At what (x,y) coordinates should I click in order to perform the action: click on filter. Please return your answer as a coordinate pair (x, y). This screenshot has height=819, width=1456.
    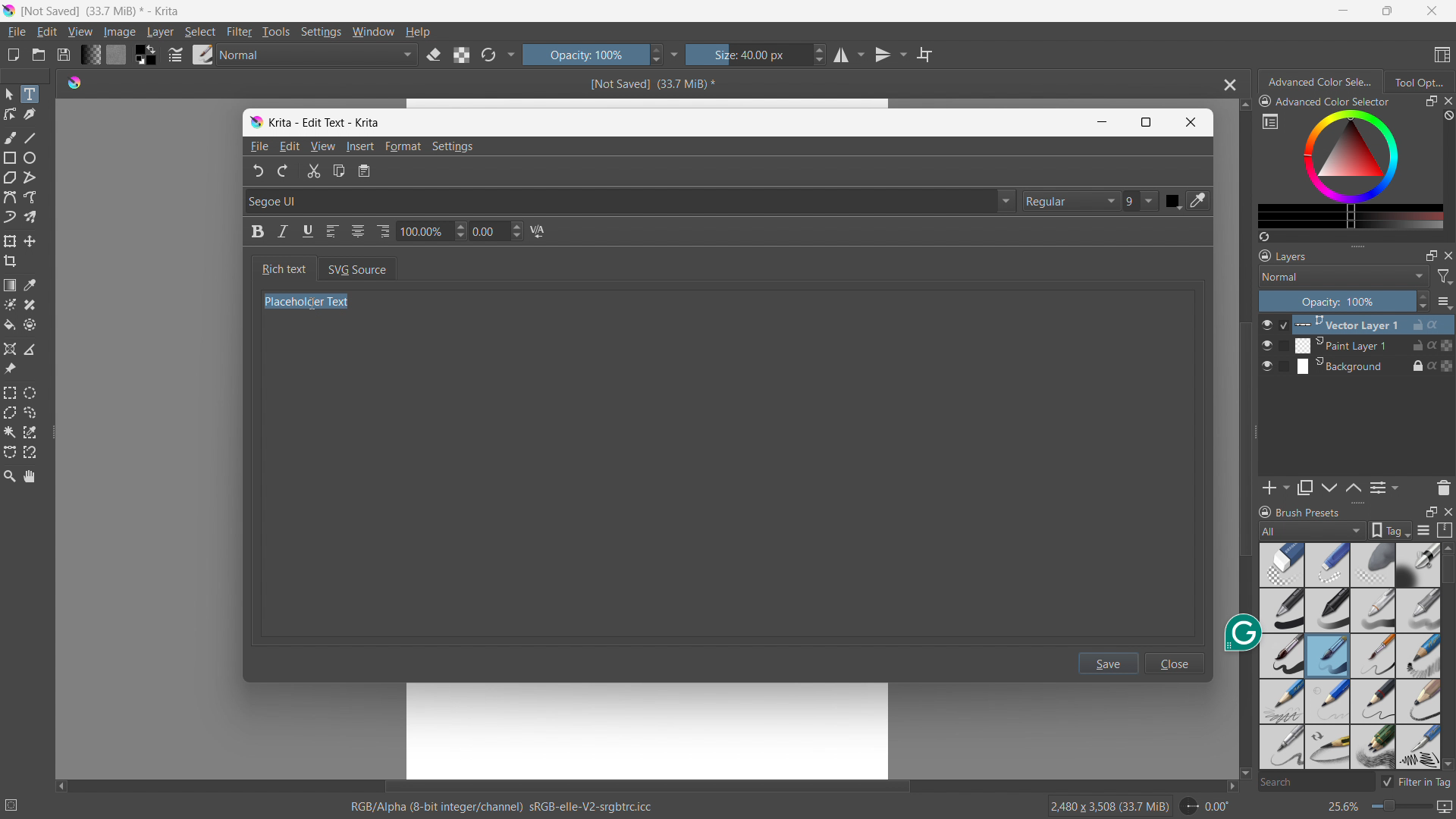
    Looking at the image, I should click on (1445, 277).